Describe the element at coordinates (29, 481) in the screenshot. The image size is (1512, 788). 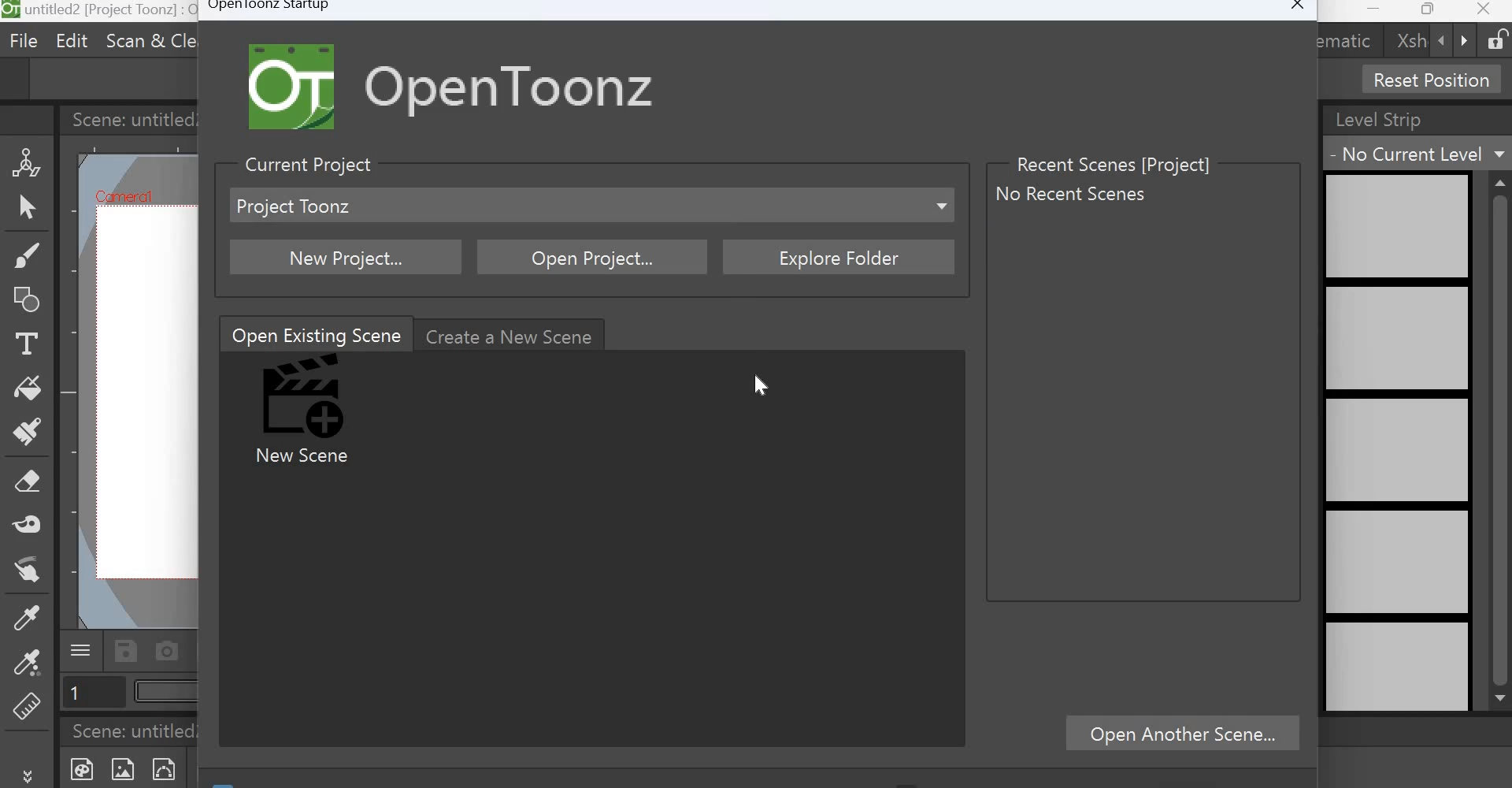
I see `Eraser tool` at that location.